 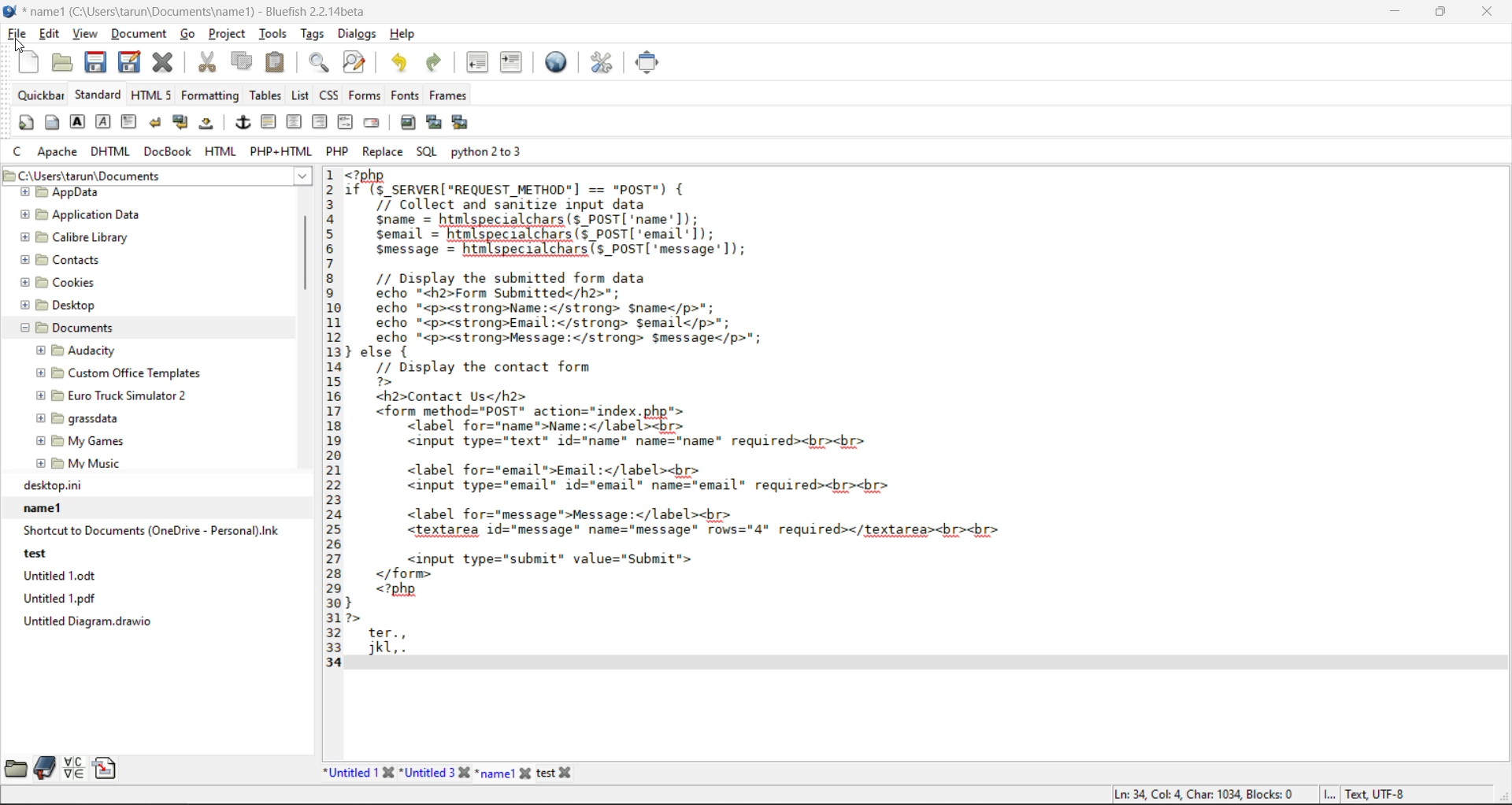 I want to click on find, so click(x=320, y=61).